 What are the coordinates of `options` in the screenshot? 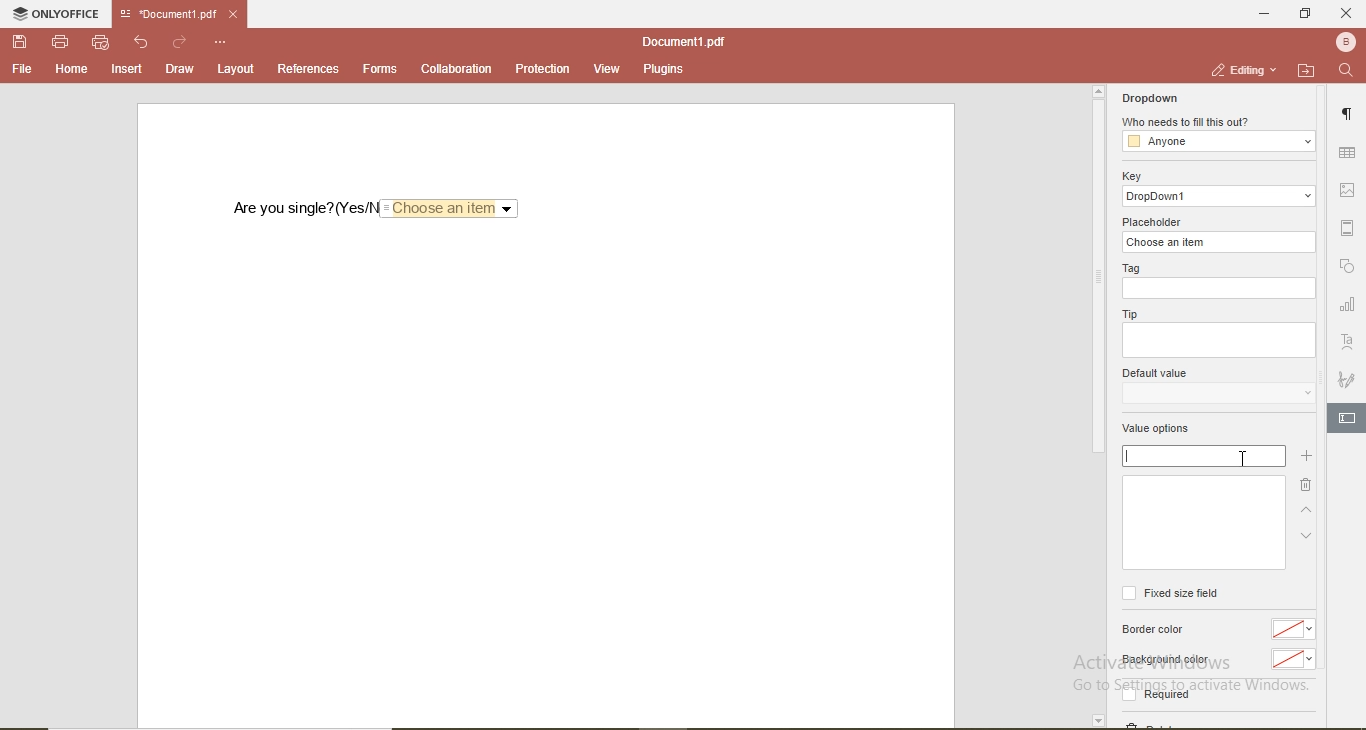 It's located at (221, 43).